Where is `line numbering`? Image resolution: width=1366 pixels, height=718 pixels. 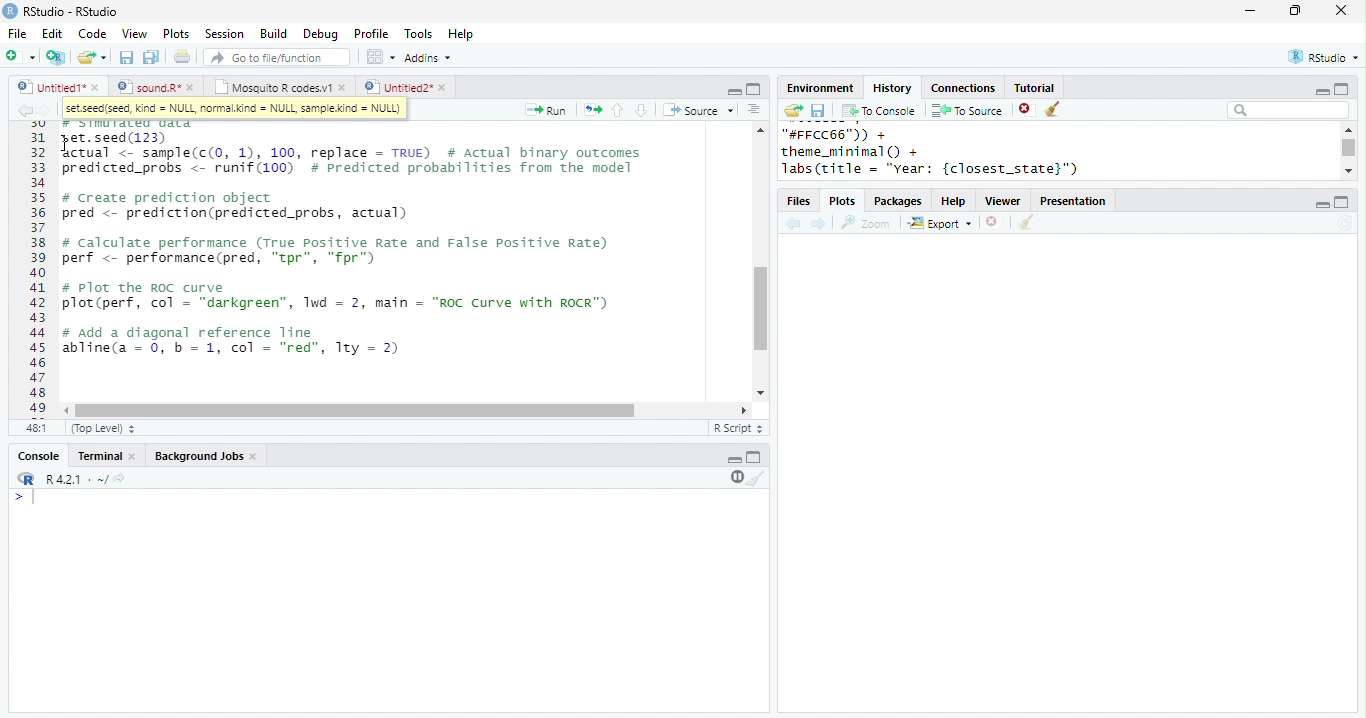 line numbering is located at coordinates (40, 269).